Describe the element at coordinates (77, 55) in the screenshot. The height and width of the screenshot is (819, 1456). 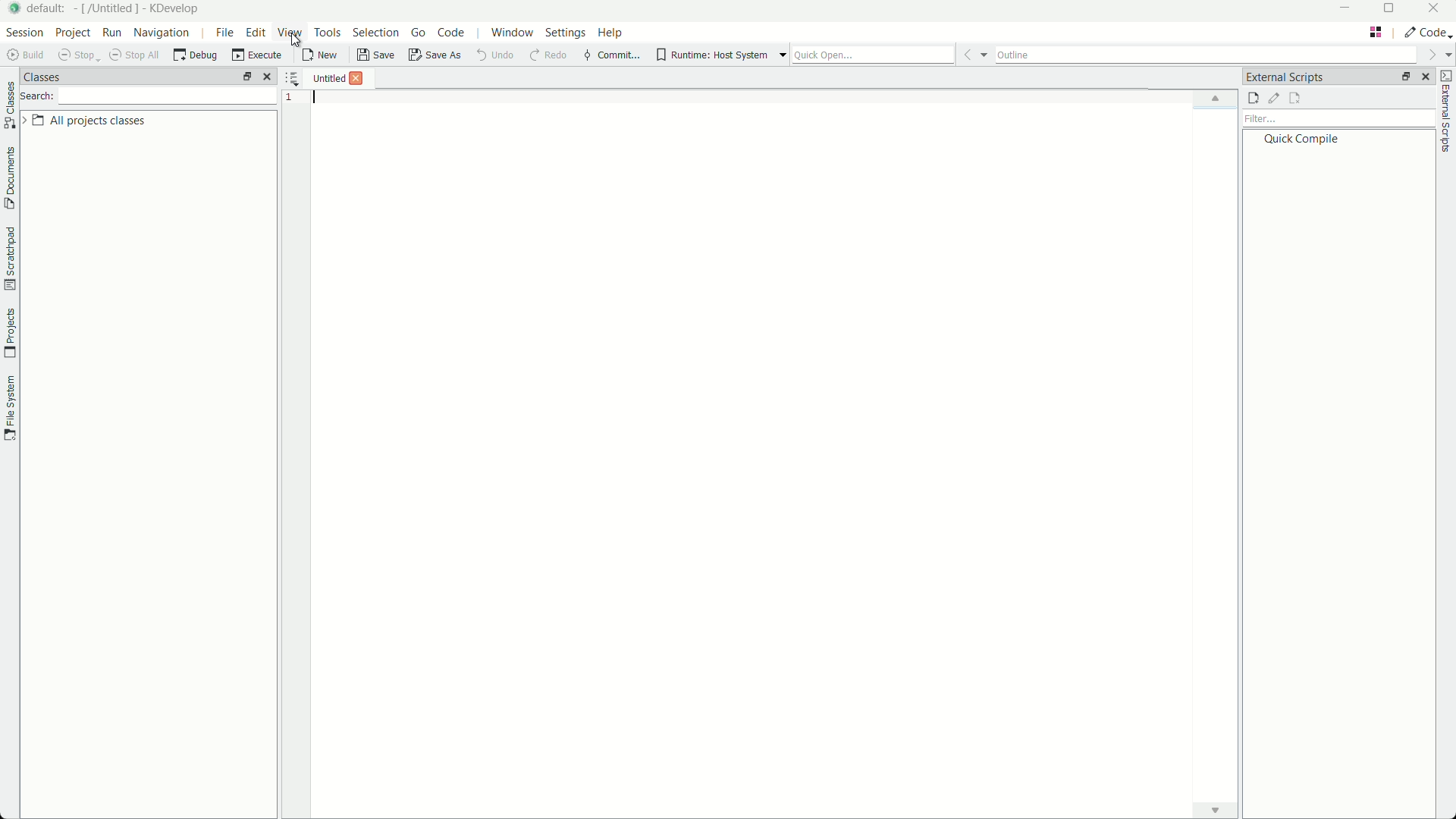
I see `stop` at that location.